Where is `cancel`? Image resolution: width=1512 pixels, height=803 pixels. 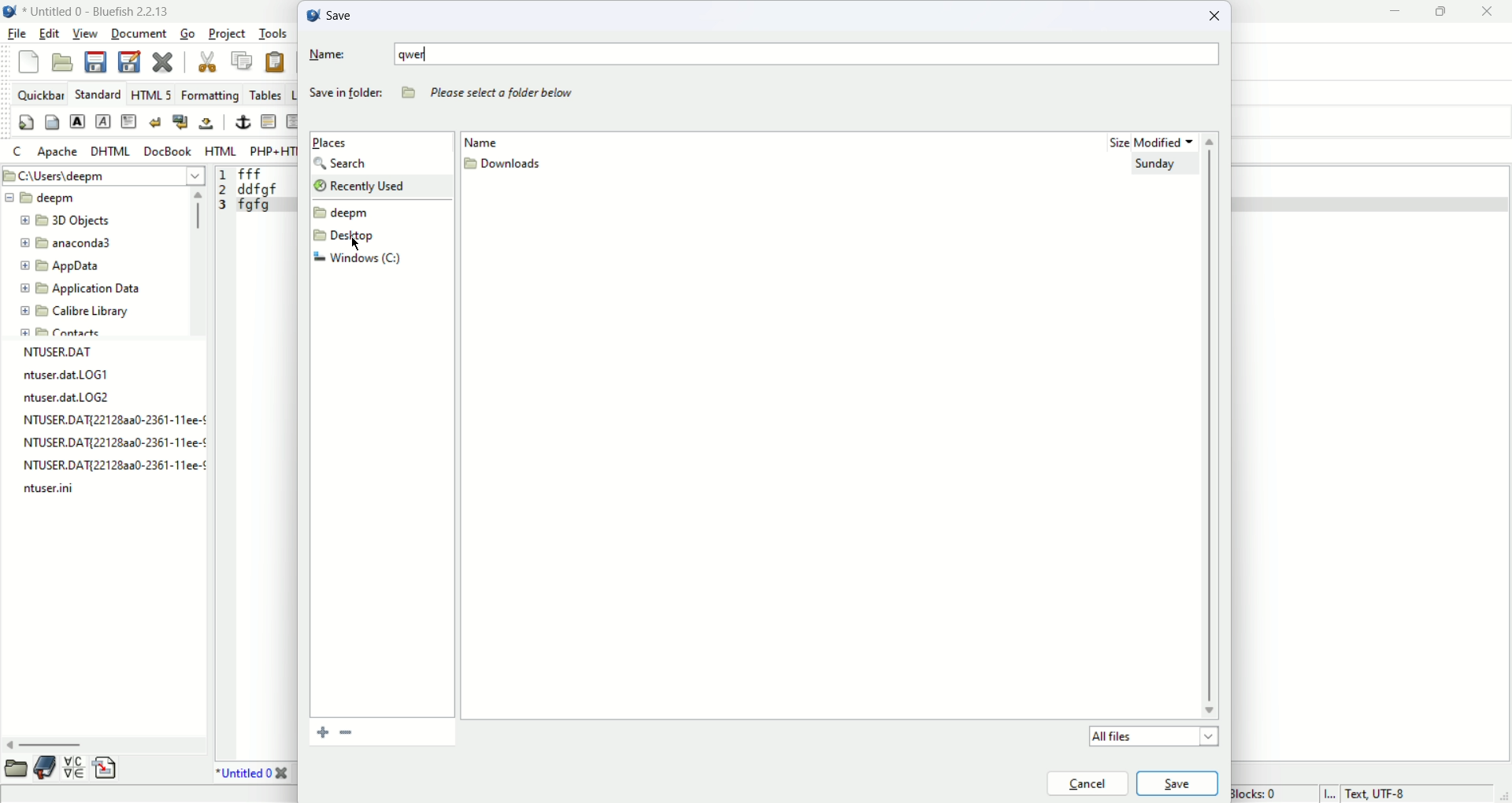 cancel is located at coordinates (1086, 782).